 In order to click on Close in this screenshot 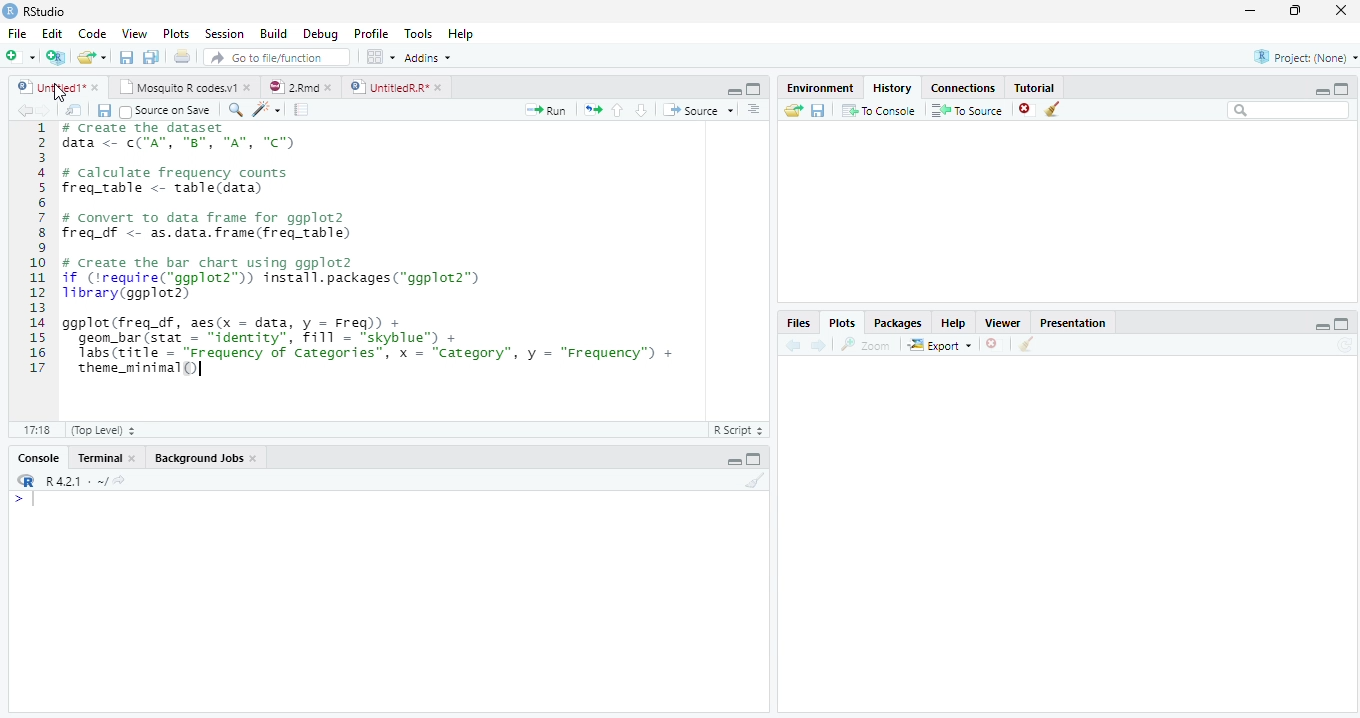, I will do `click(1340, 11)`.